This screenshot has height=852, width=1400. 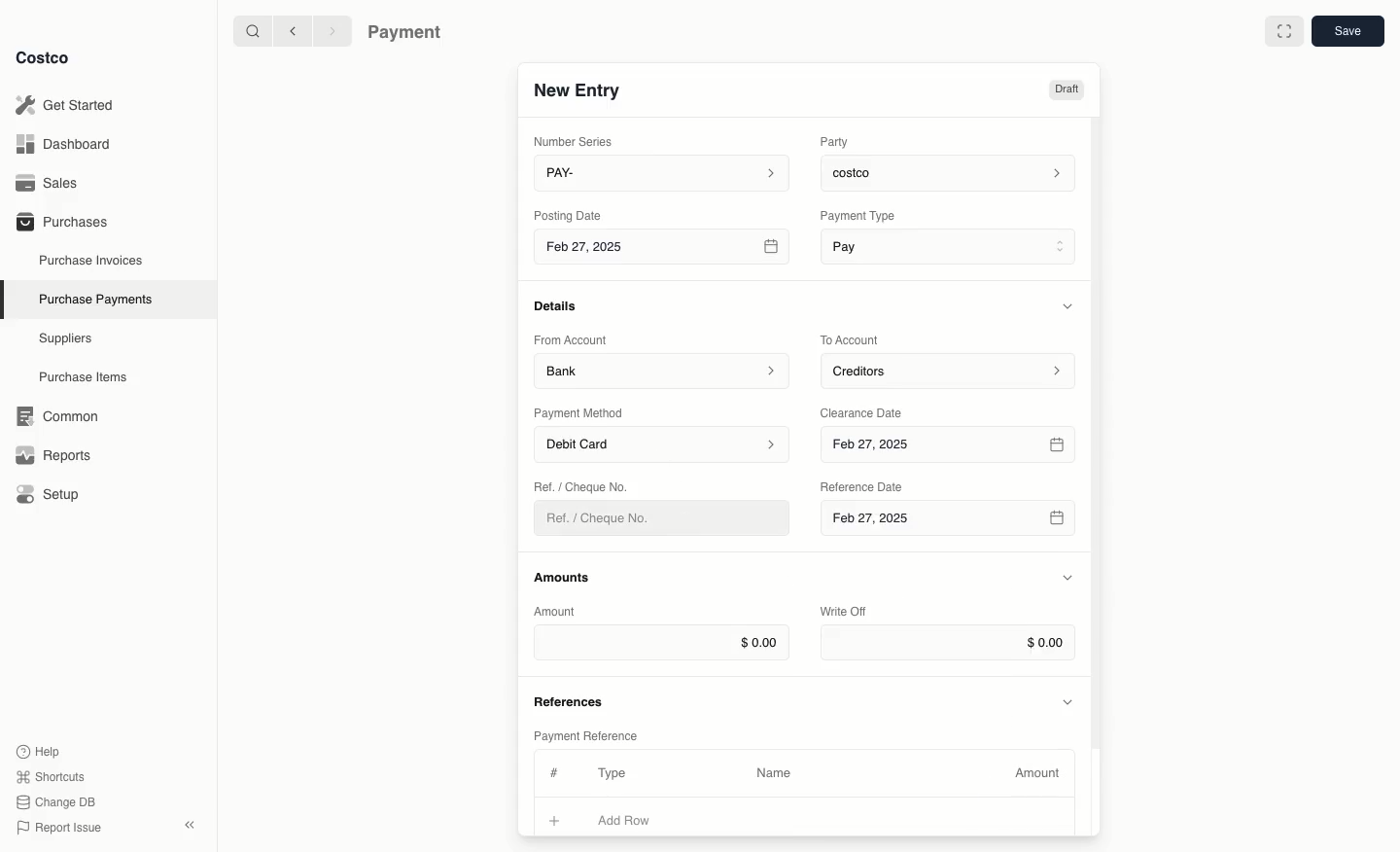 I want to click on Posting Date, so click(x=570, y=214).